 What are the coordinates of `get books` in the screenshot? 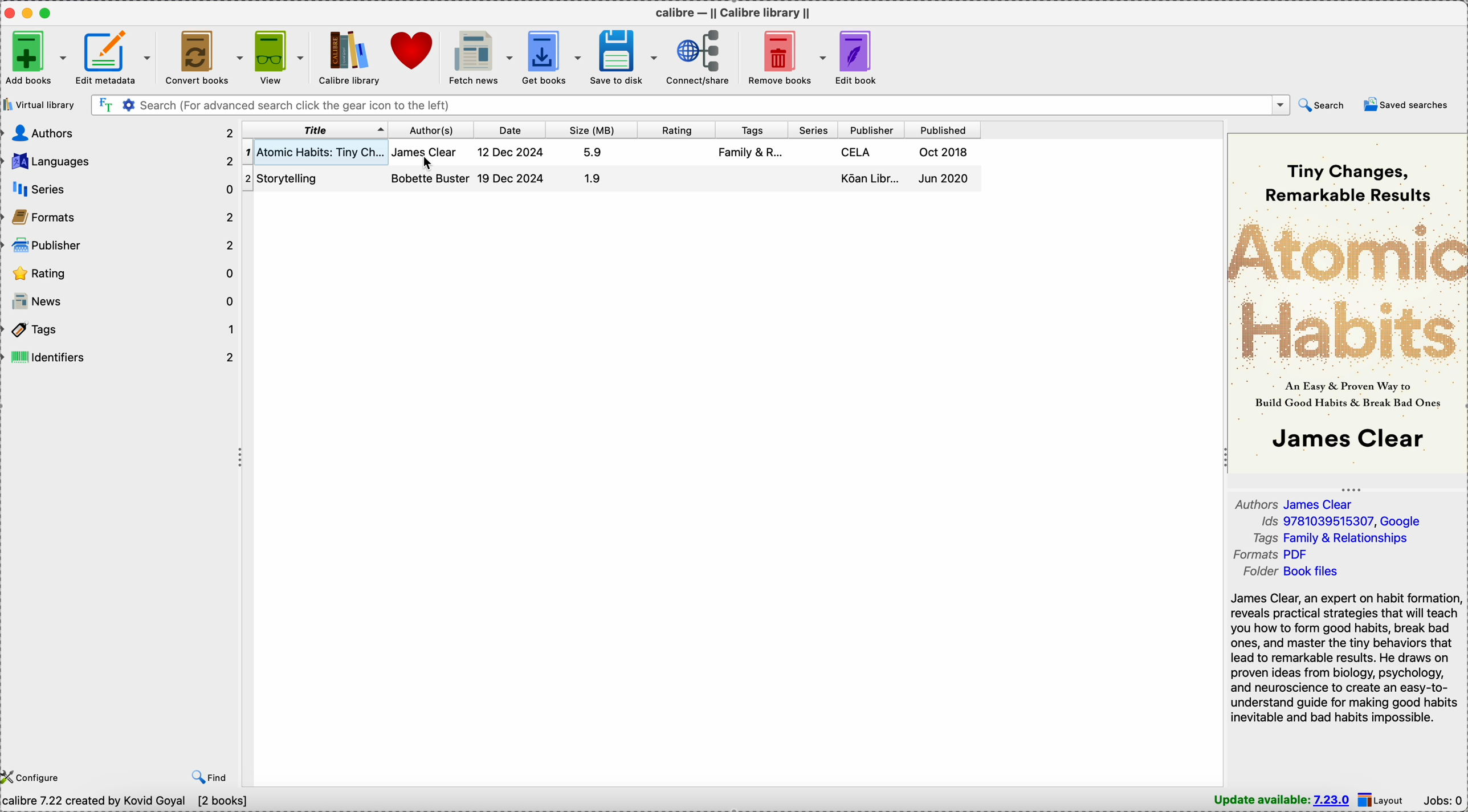 It's located at (549, 56).